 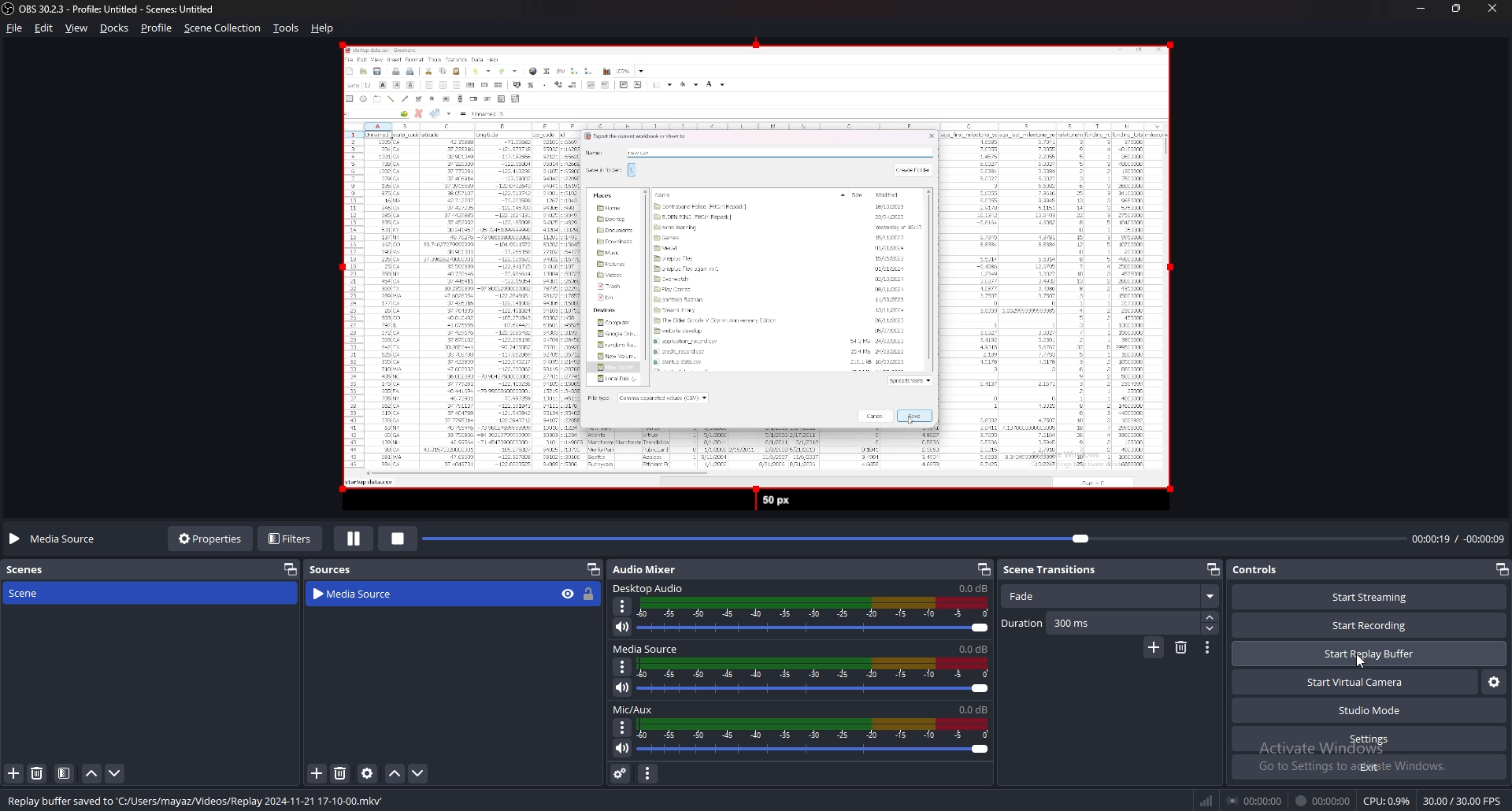 What do you see at coordinates (1208, 801) in the screenshot?
I see `network` at bounding box center [1208, 801].